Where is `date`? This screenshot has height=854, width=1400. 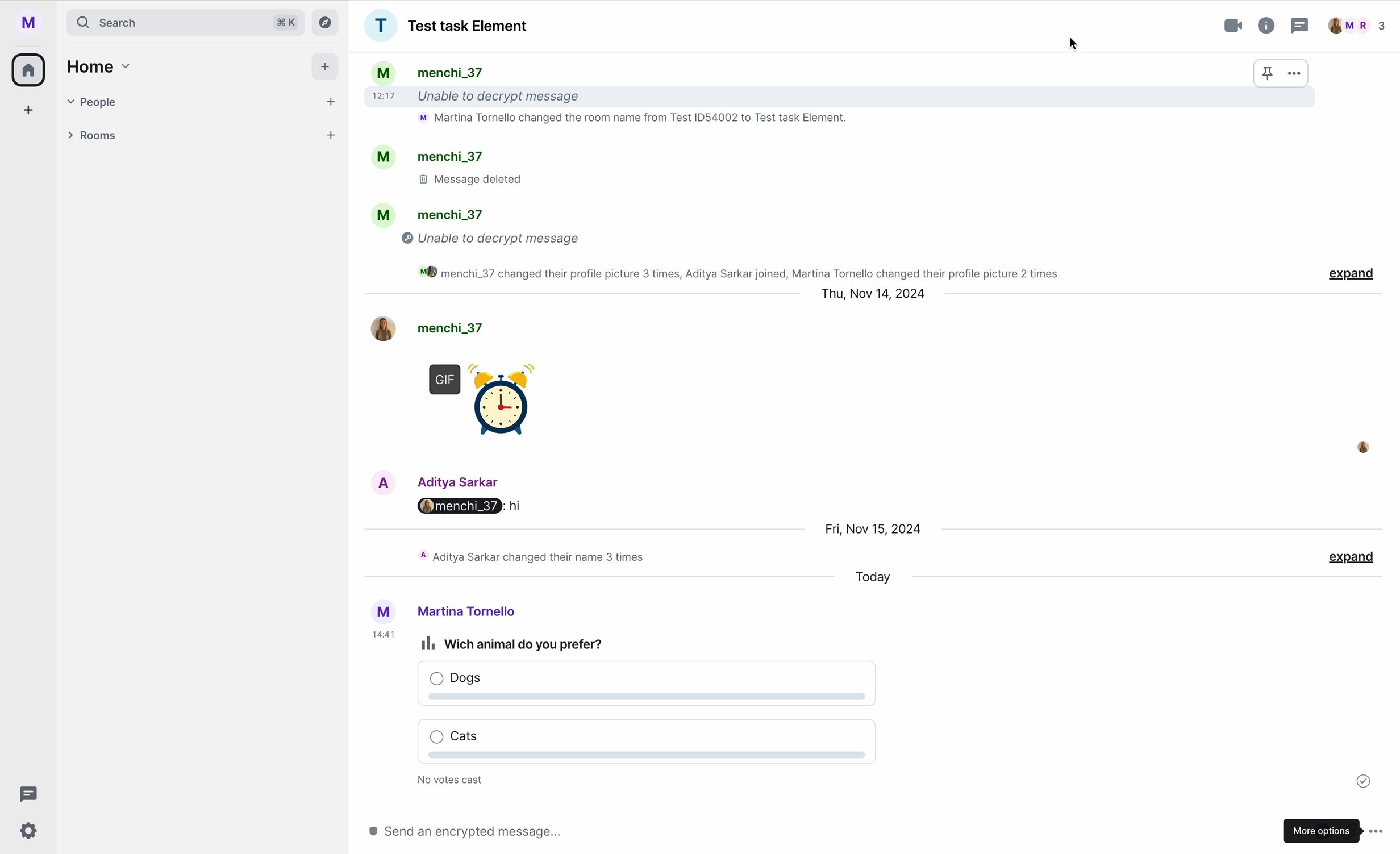
date is located at coordinates (875, 527).